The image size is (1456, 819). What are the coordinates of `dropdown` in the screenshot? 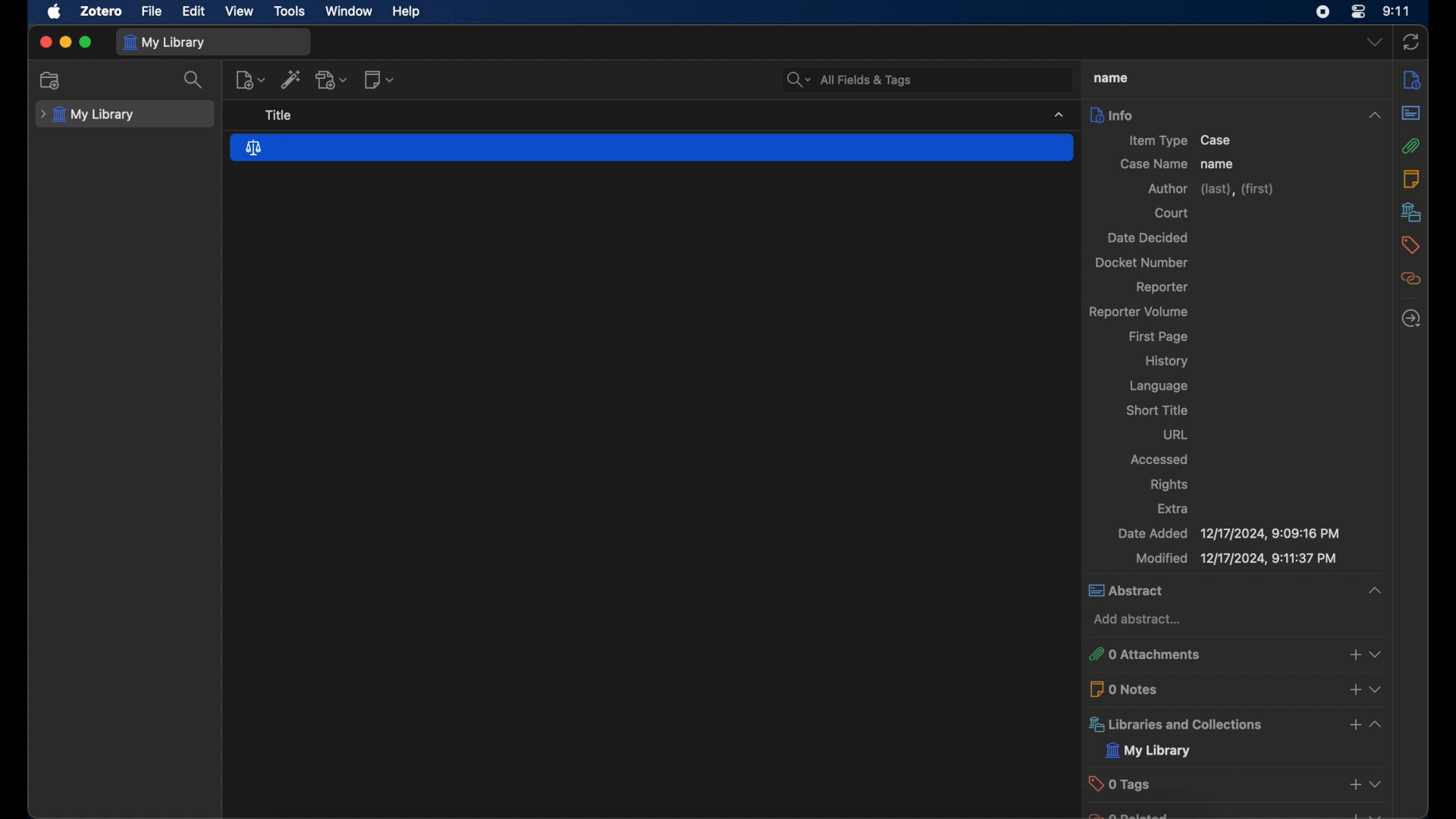 It's located at (1373, 42).